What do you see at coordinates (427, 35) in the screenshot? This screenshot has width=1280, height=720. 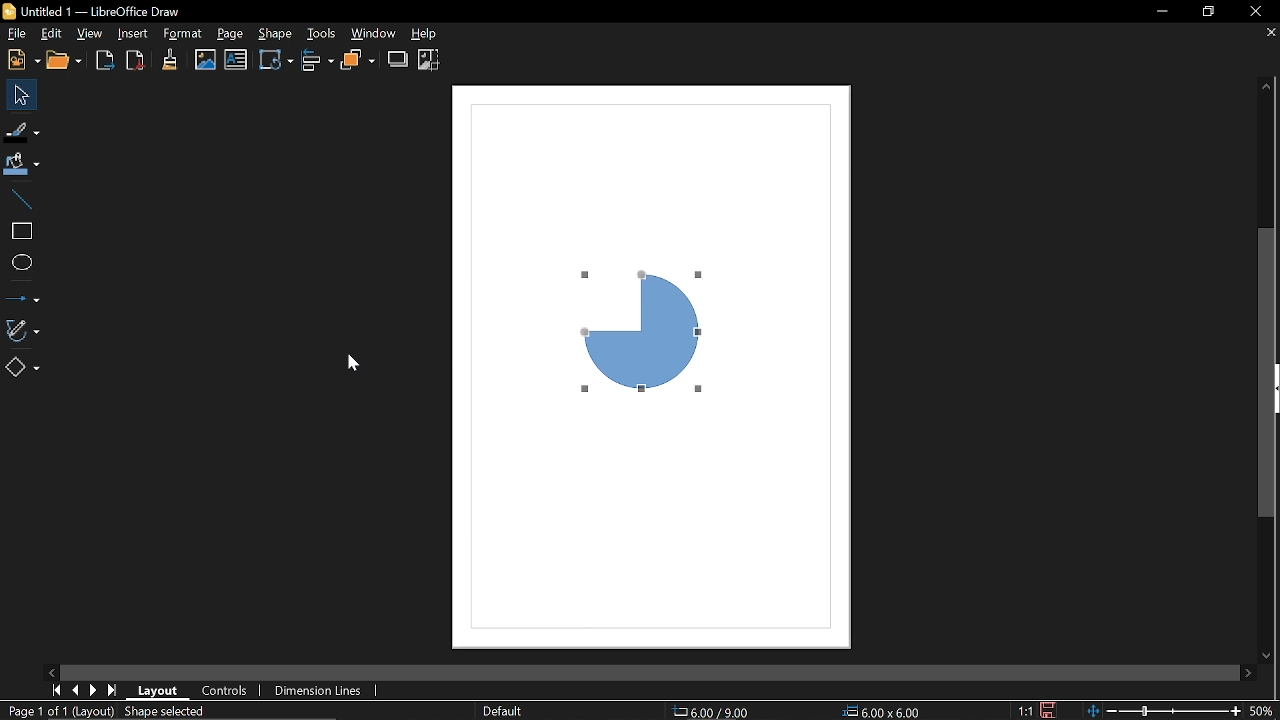 I see `Help` at bounding box center [427, 35].